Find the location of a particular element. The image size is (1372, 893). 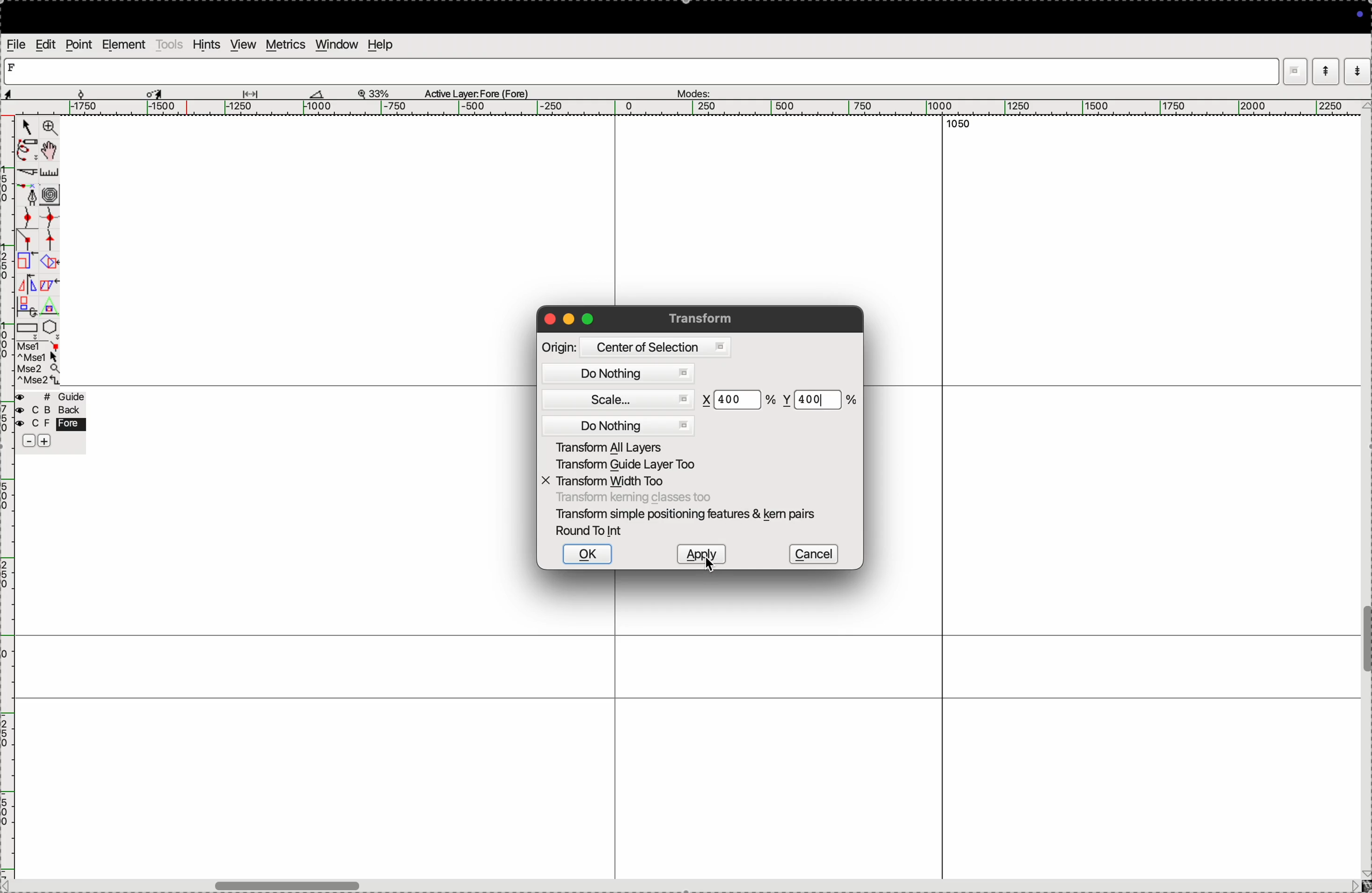

pen is located at coordinates (25, 152).